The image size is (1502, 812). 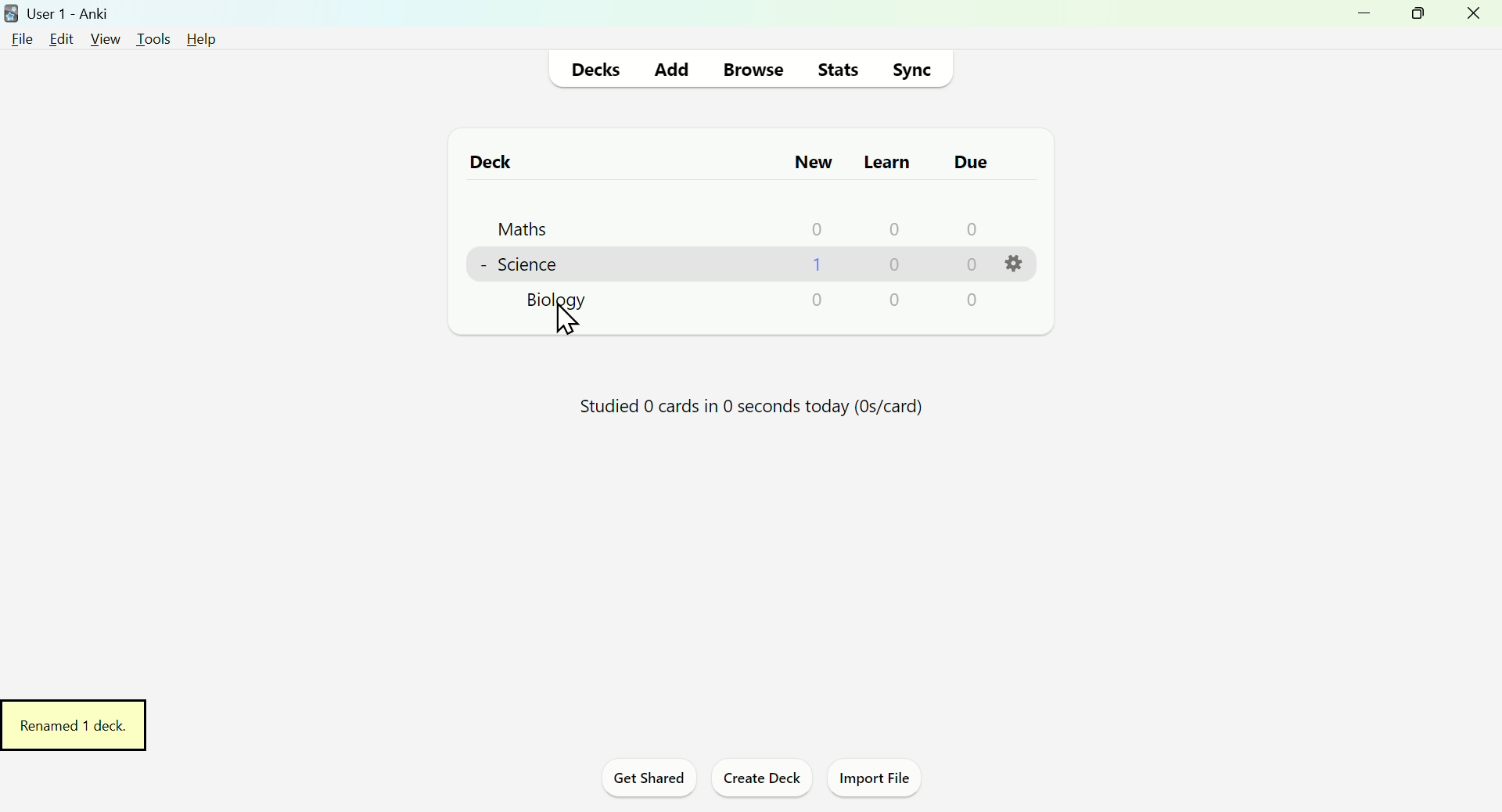 I want to click on Maths, so click(x=512, y=225).